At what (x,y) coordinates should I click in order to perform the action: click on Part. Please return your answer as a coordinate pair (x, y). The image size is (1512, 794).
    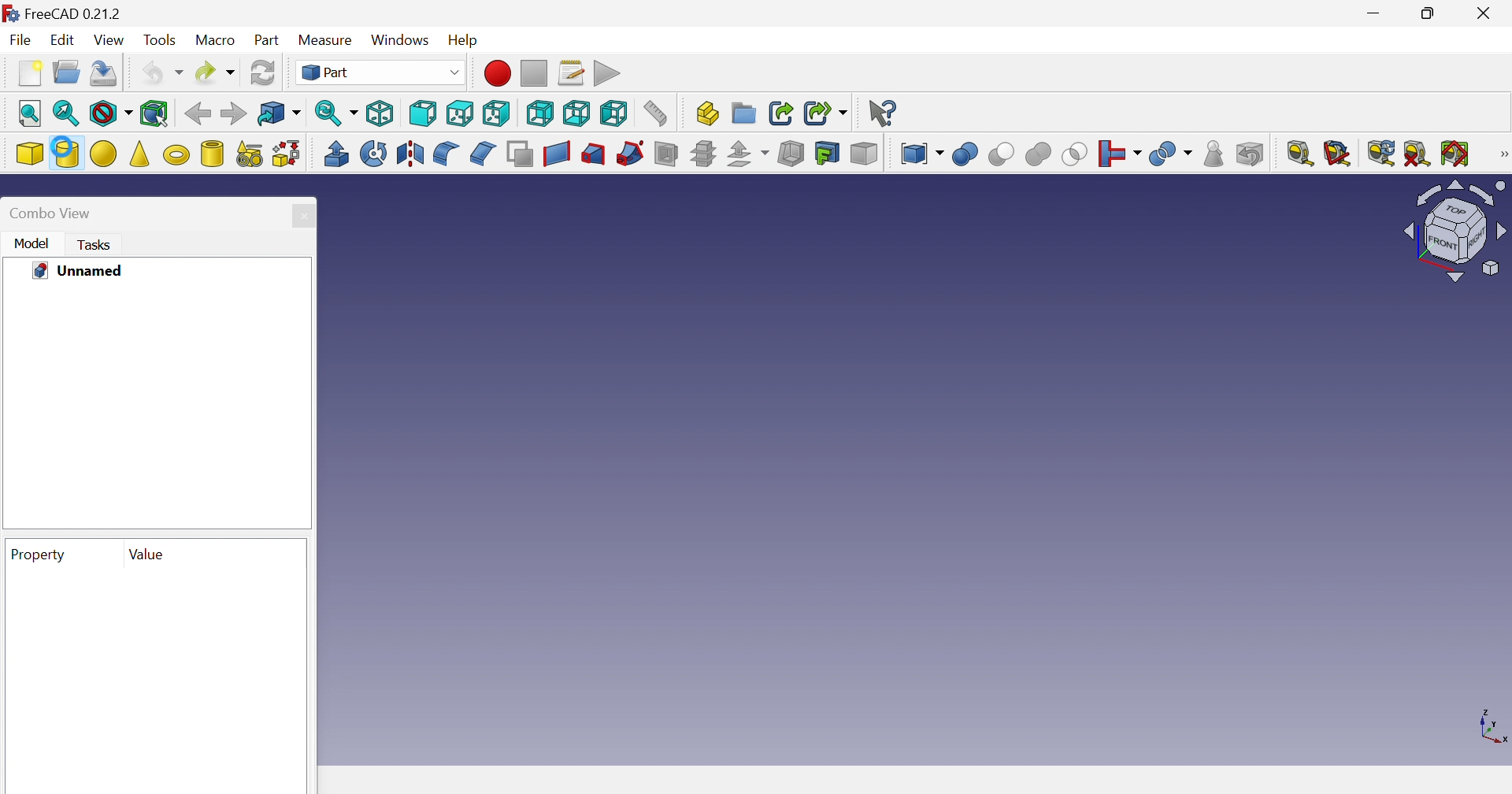
    Looking at the image, I should click on (385, 72).